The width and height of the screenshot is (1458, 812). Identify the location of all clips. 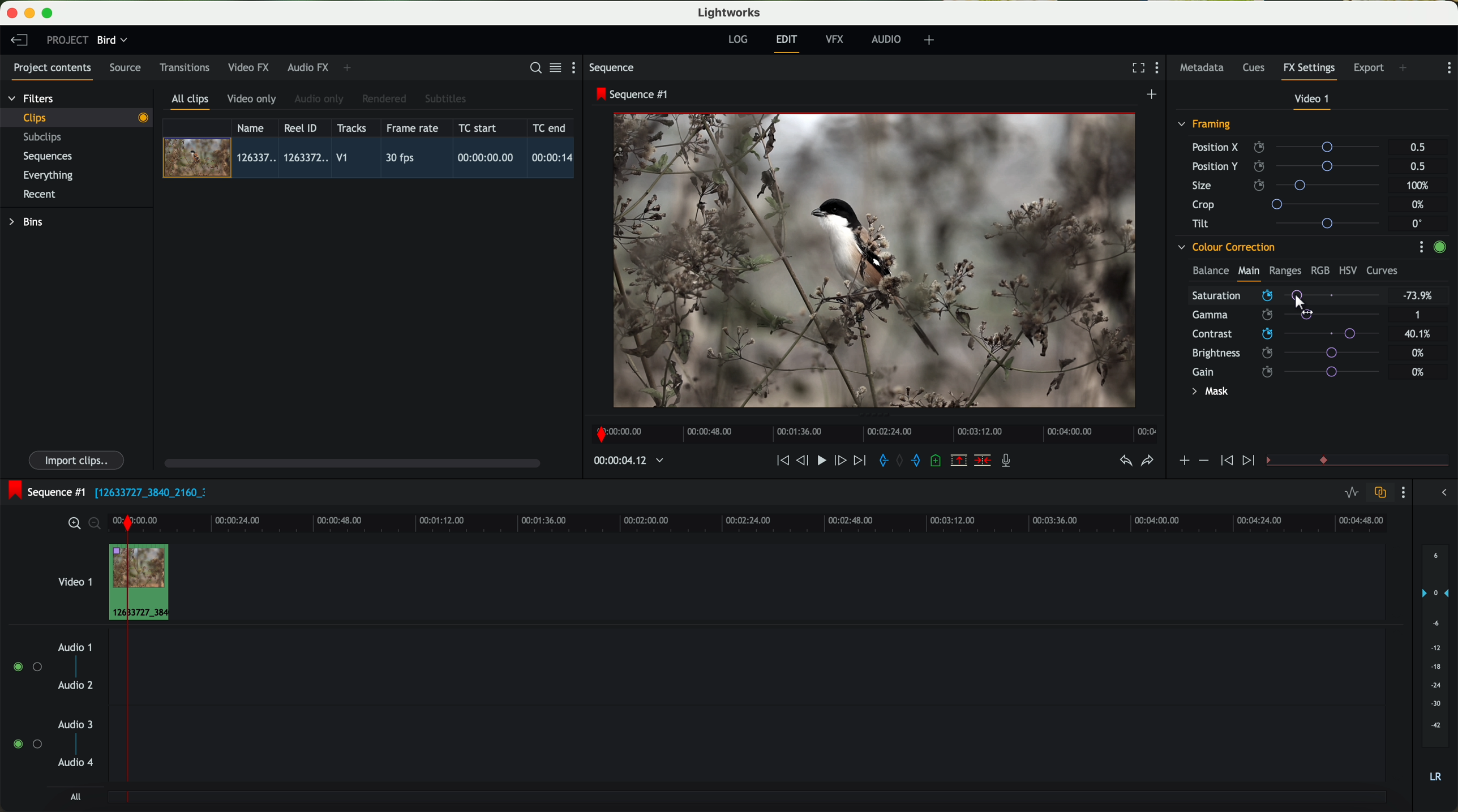
(191, 102).